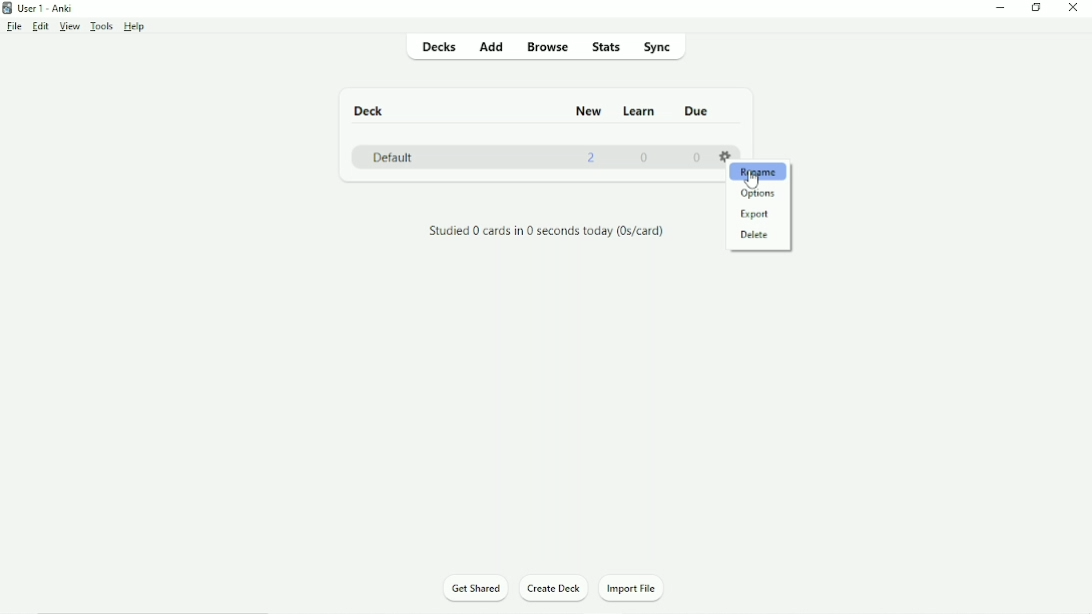 The image size is (1092, 614). I want to click on Due, so click(695, 111).